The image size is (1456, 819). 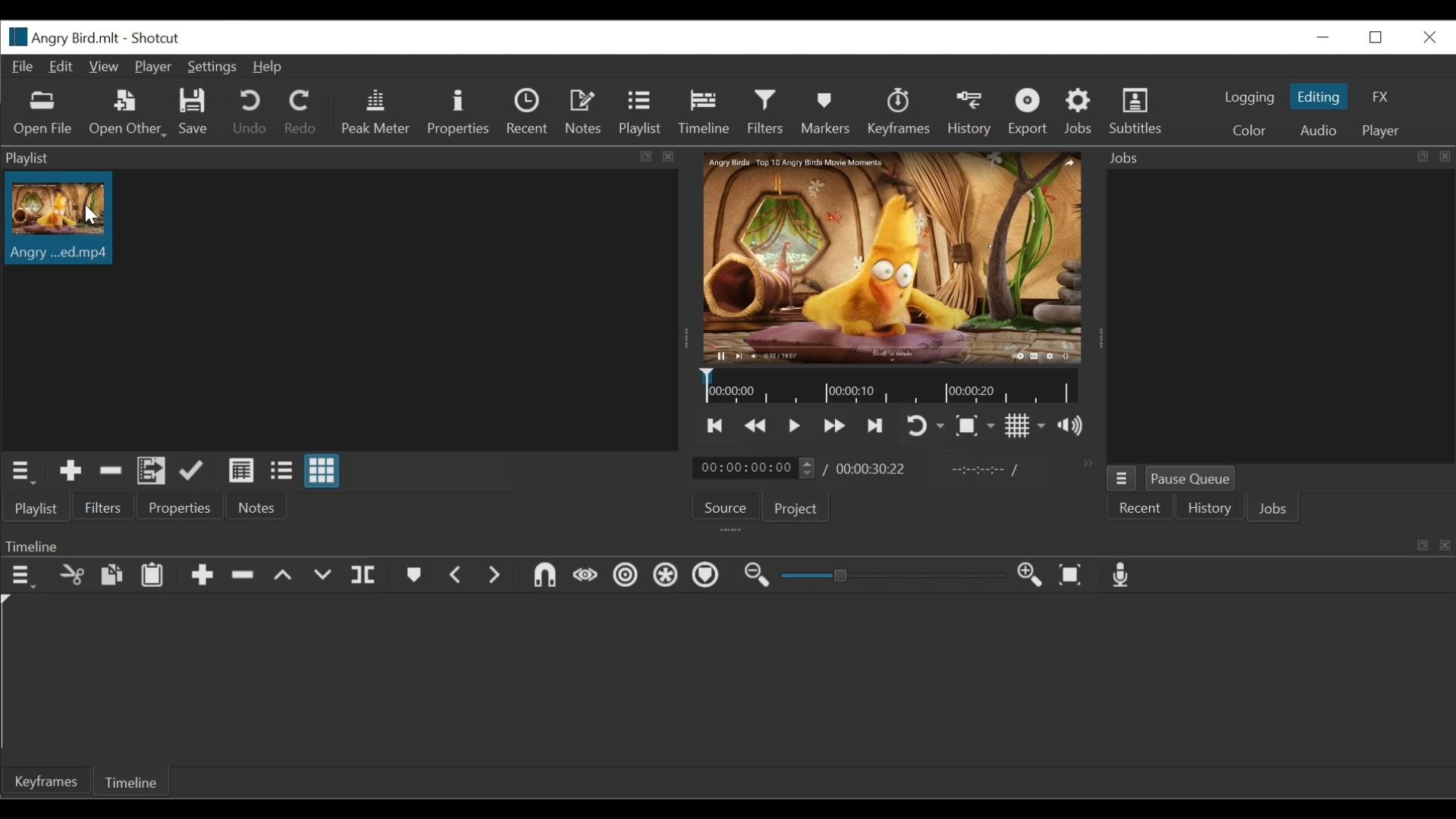 I want to click on Zoom timeline in, so click(x=1030, y=576).